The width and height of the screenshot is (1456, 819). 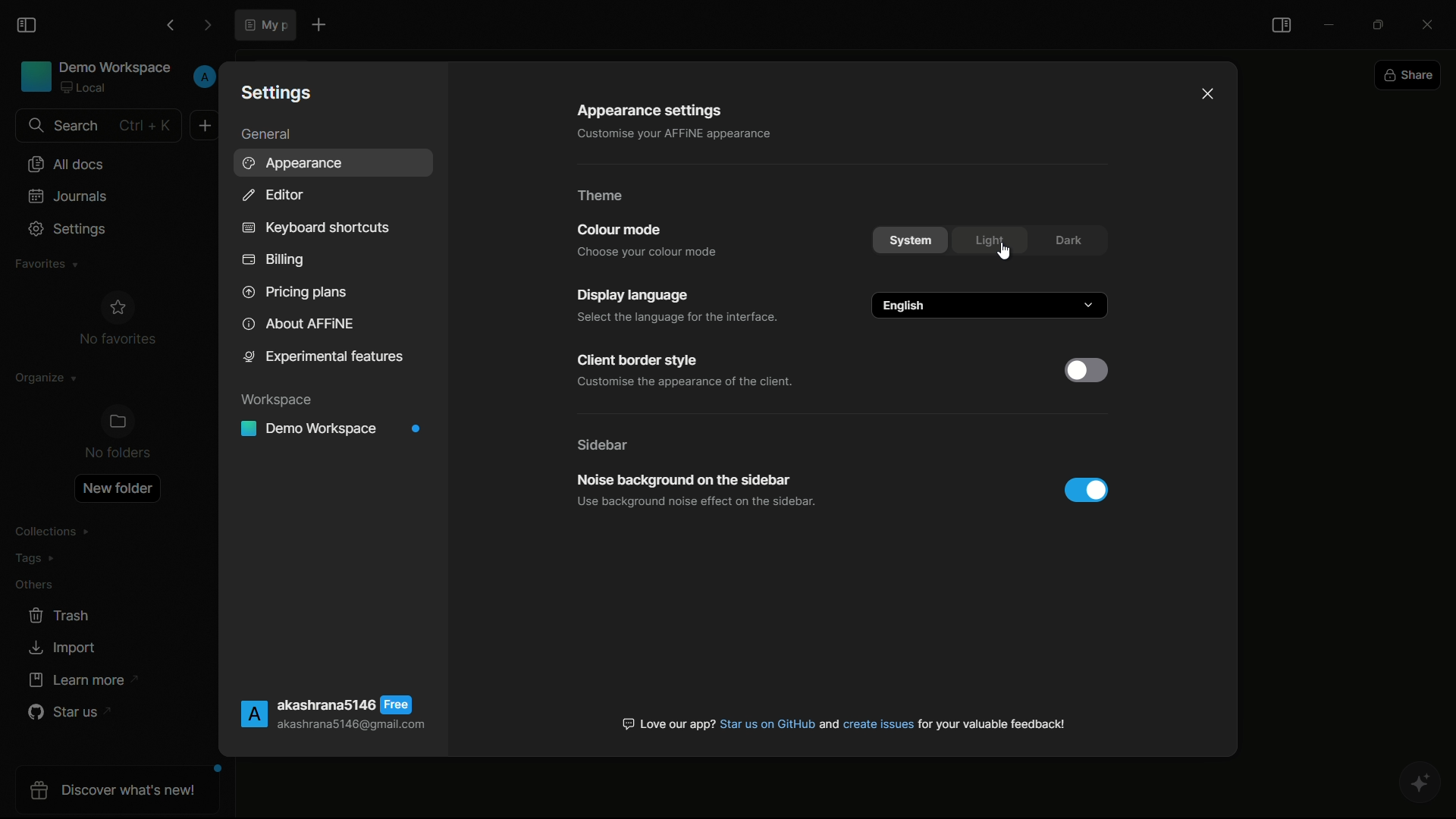 I want to click on demo workspace, so click(x=96, y=79).